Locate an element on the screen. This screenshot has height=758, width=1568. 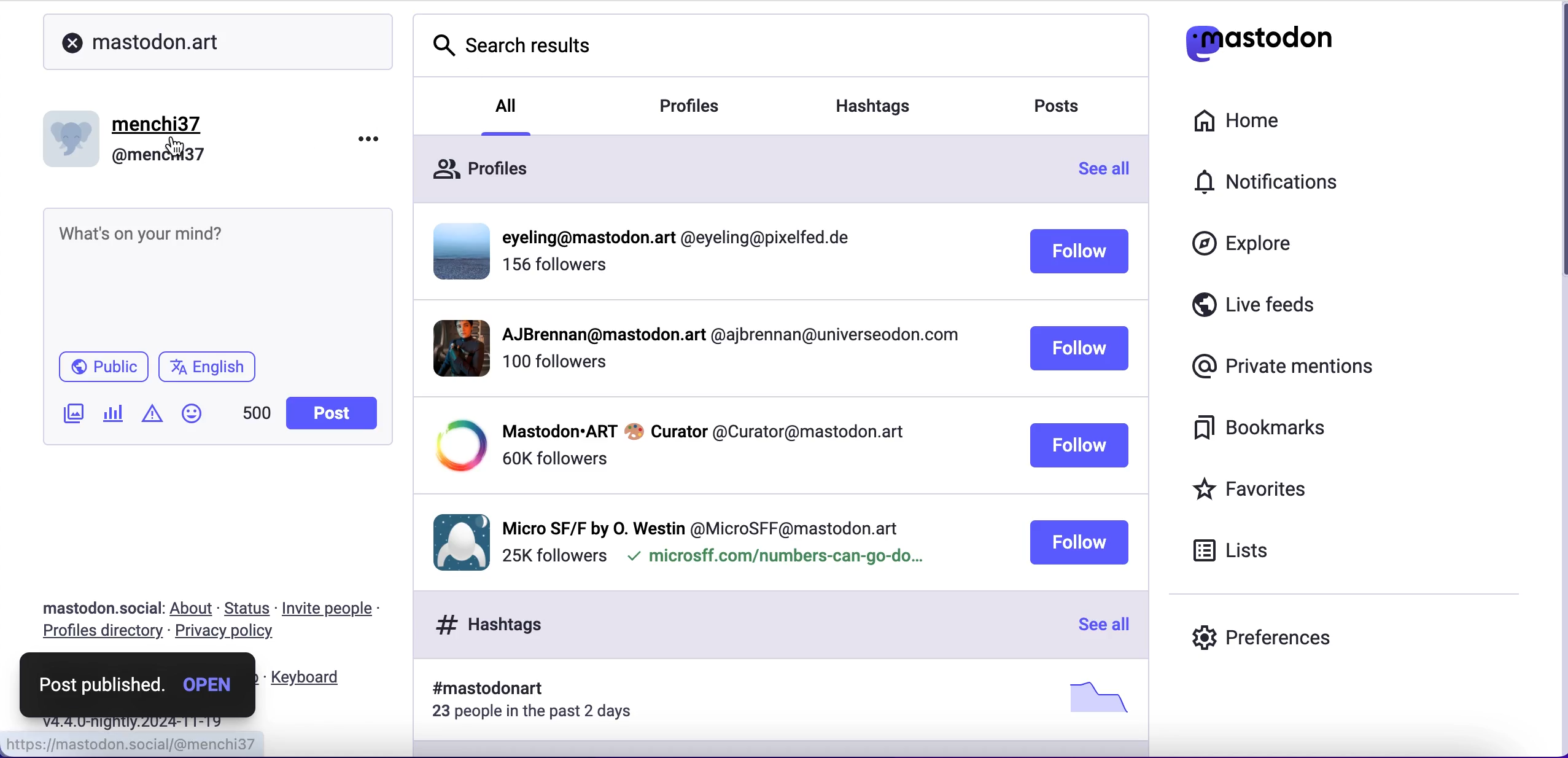
link is located at coordinates (136, 747).